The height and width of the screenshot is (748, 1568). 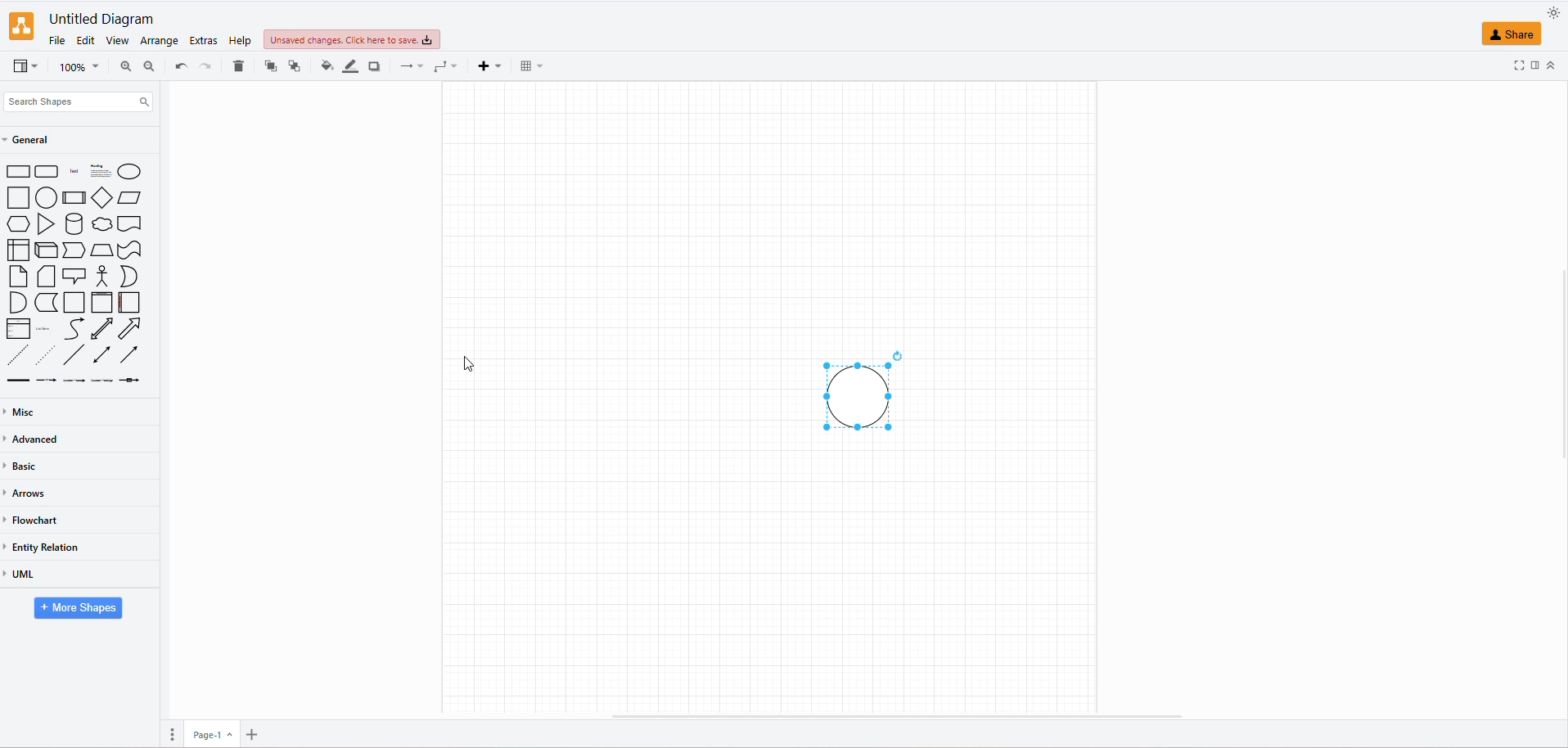 I want to click on PROCESS, so click(x=74, y=198).